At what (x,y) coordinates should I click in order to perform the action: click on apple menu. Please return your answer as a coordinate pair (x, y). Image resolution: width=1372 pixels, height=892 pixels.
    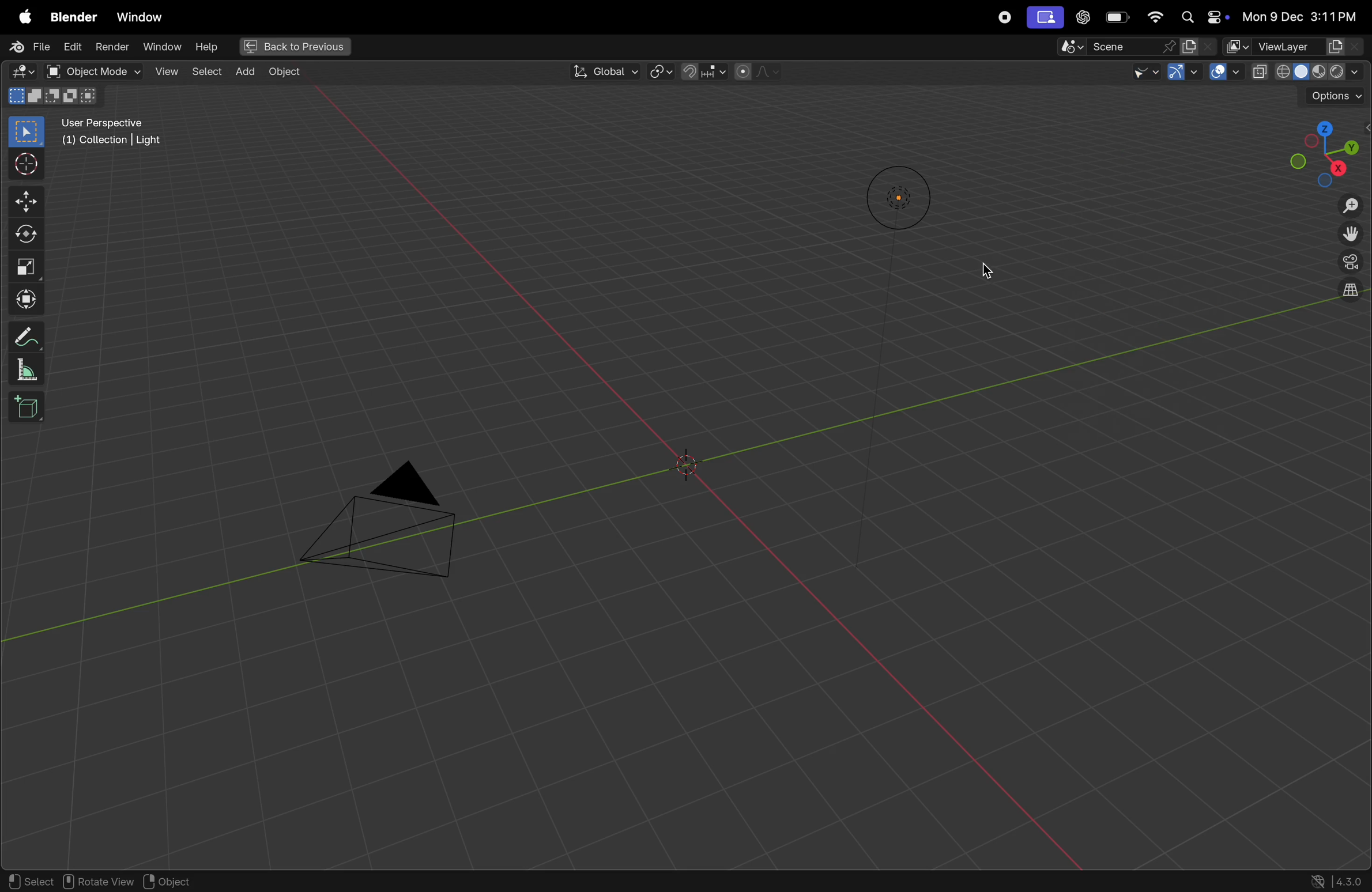
    Looking at the image, I should click on (21, 18).